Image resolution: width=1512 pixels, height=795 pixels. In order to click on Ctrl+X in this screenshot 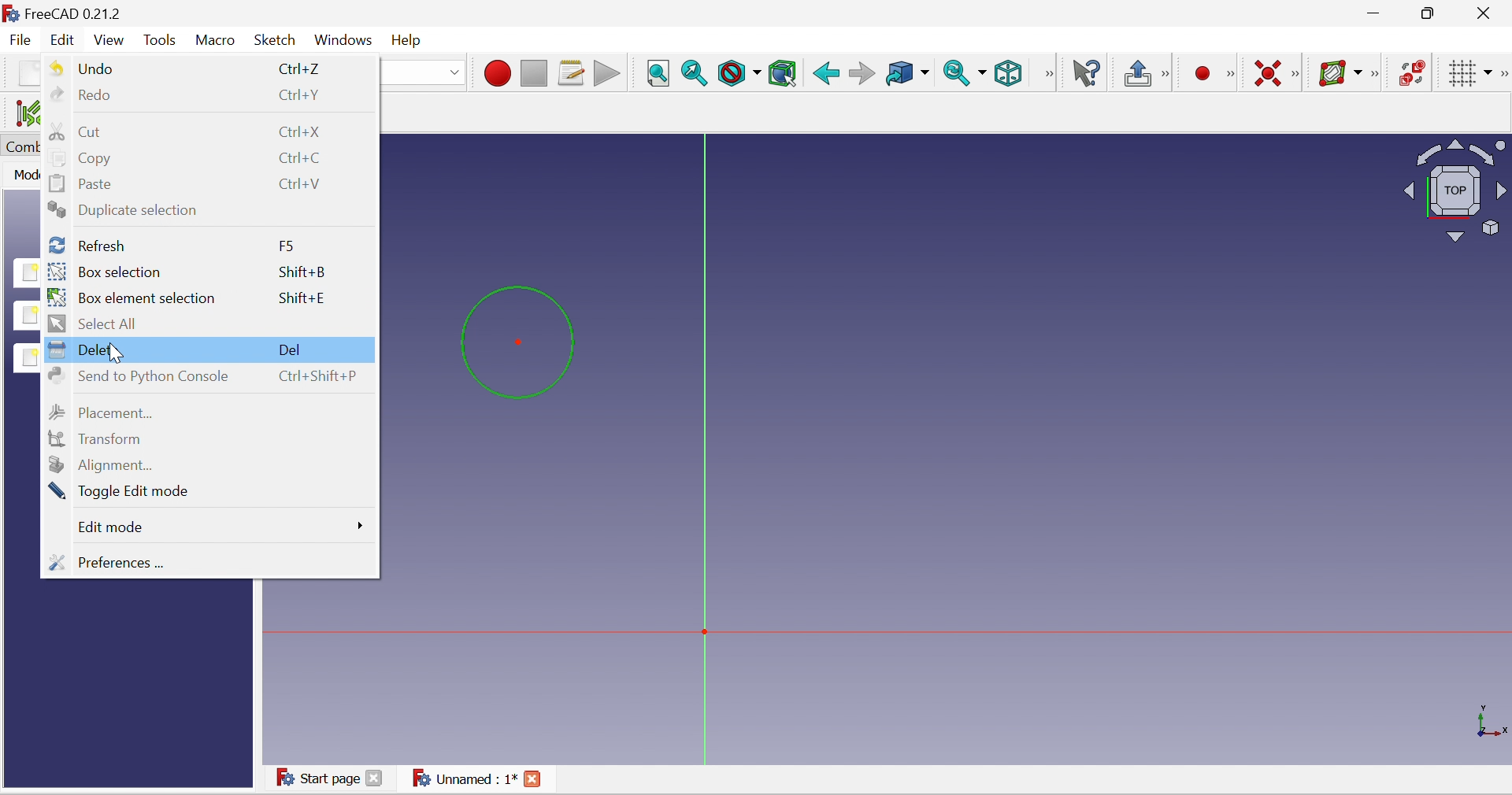, I will do `click(300, 131)`.